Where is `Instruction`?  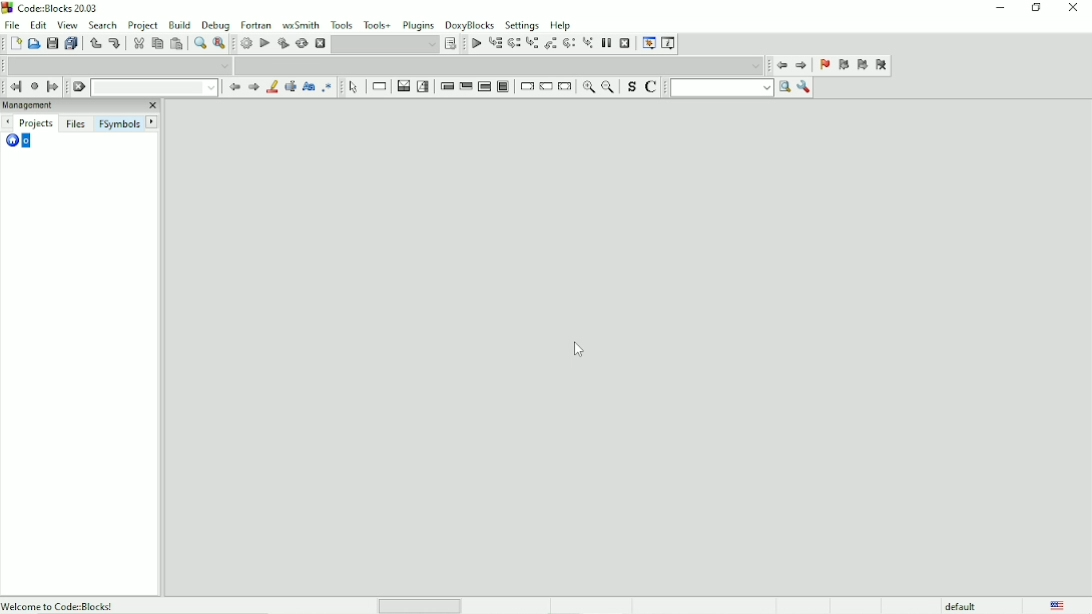
Instruction is located at coordinates (377, 87).